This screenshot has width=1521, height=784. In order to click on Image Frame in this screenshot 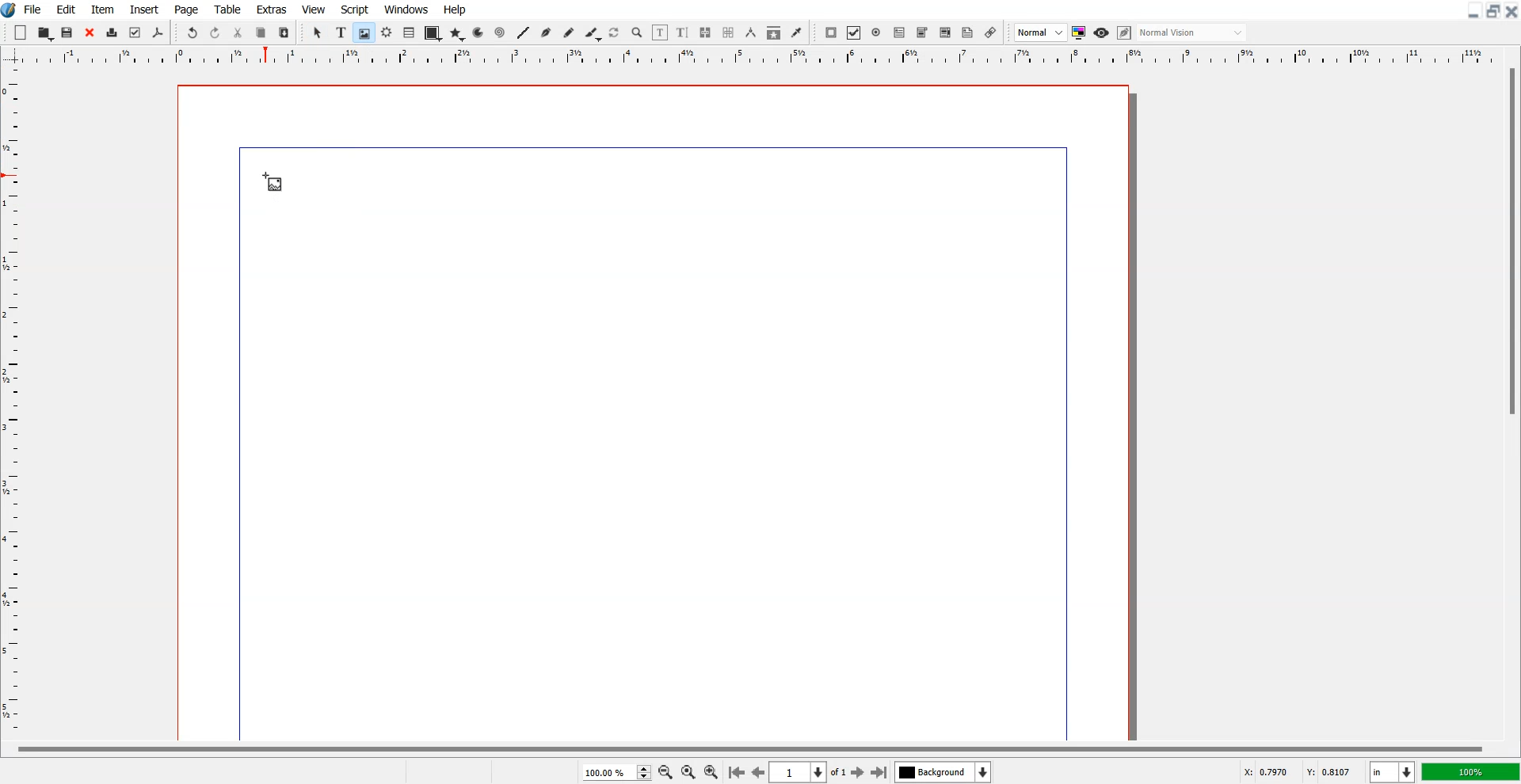, I will do `click(364, 32)`.